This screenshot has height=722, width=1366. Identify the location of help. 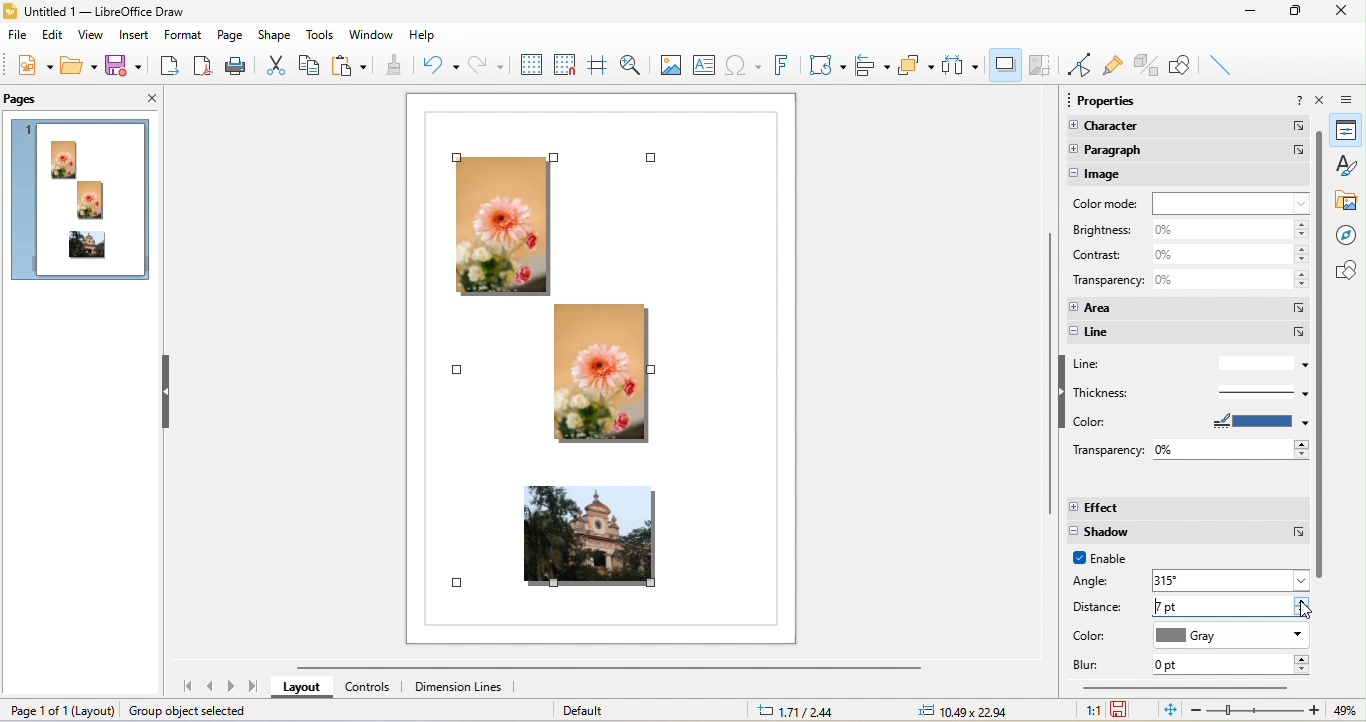
(1302, 101).